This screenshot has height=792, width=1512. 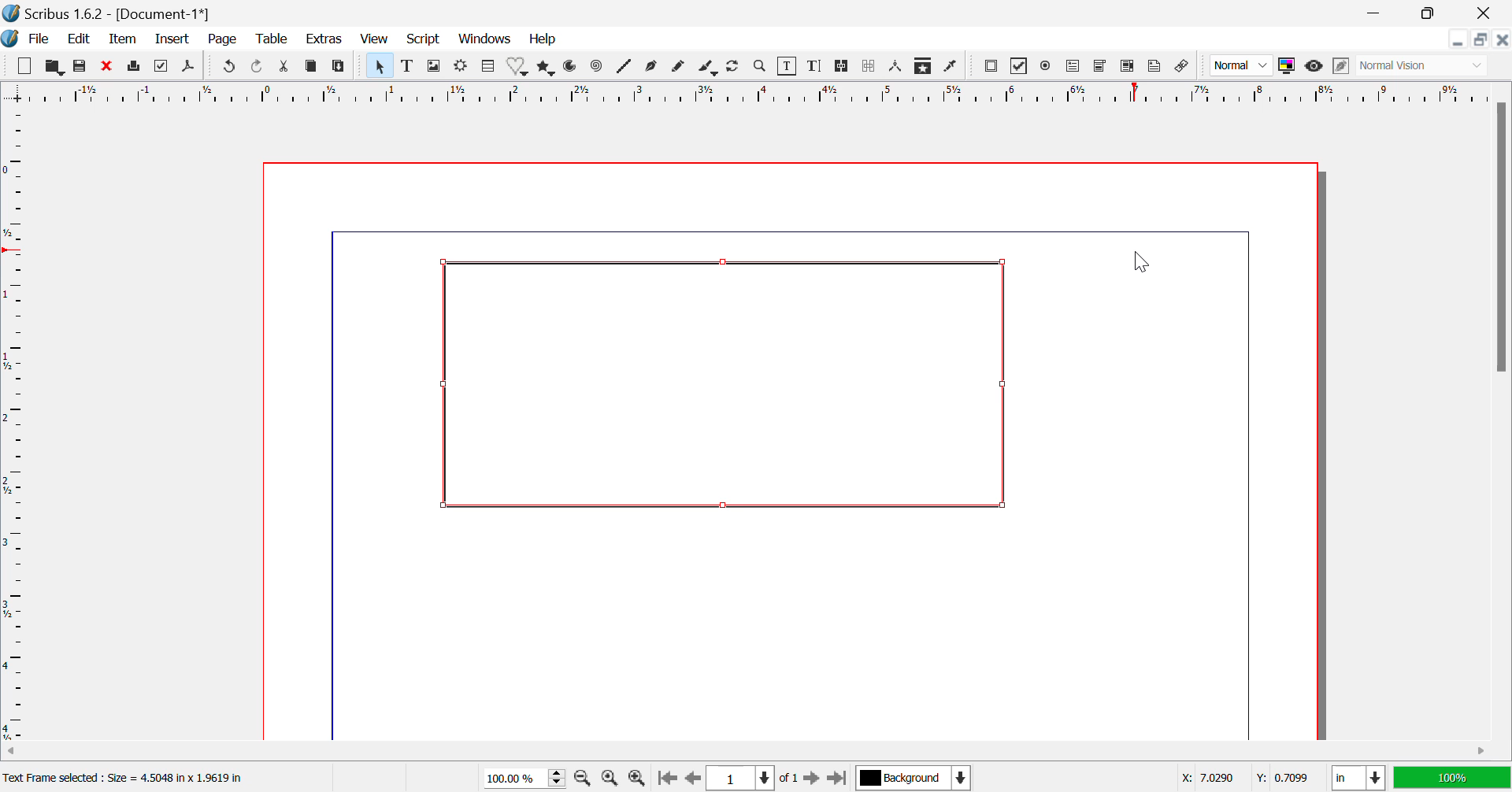 What do you see at coordinates (691, 779) in the screenshot?
I see `Previous Page` at bounding box center [691, 779].